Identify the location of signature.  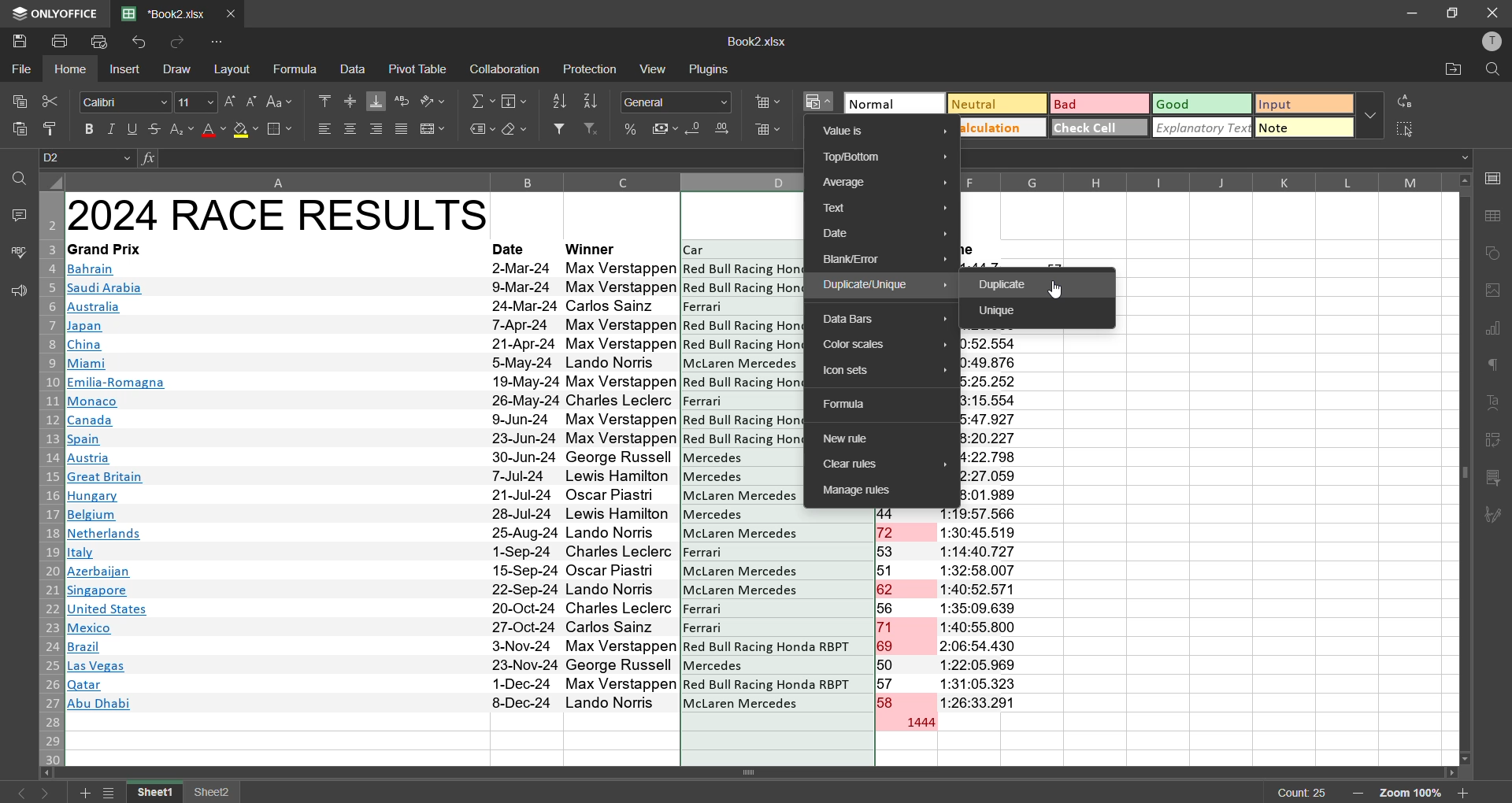
(1494, 516).